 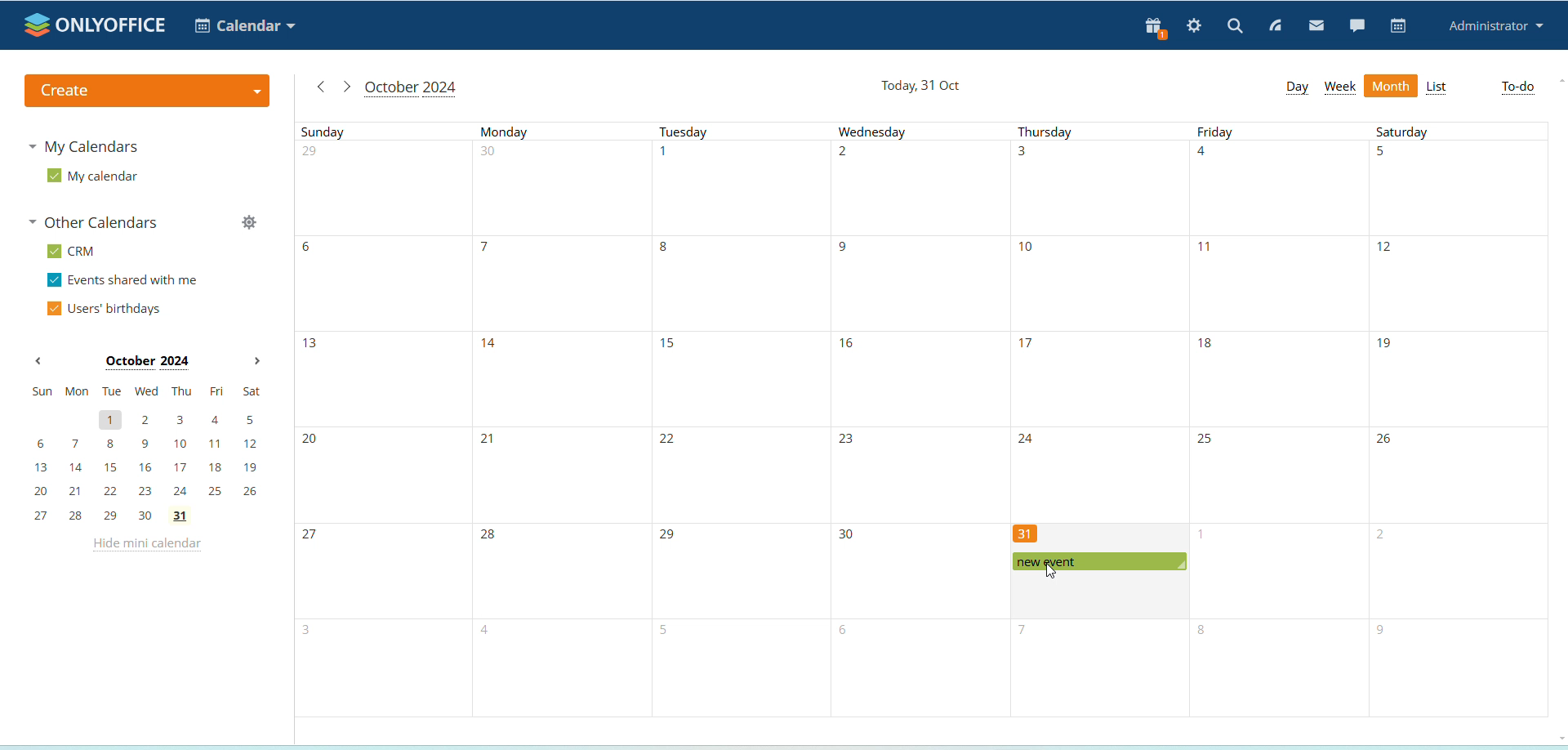 What do you see at coordinates (1276, 27) in the screenshot?
I see `feed` at bounding box center [1276, 27].